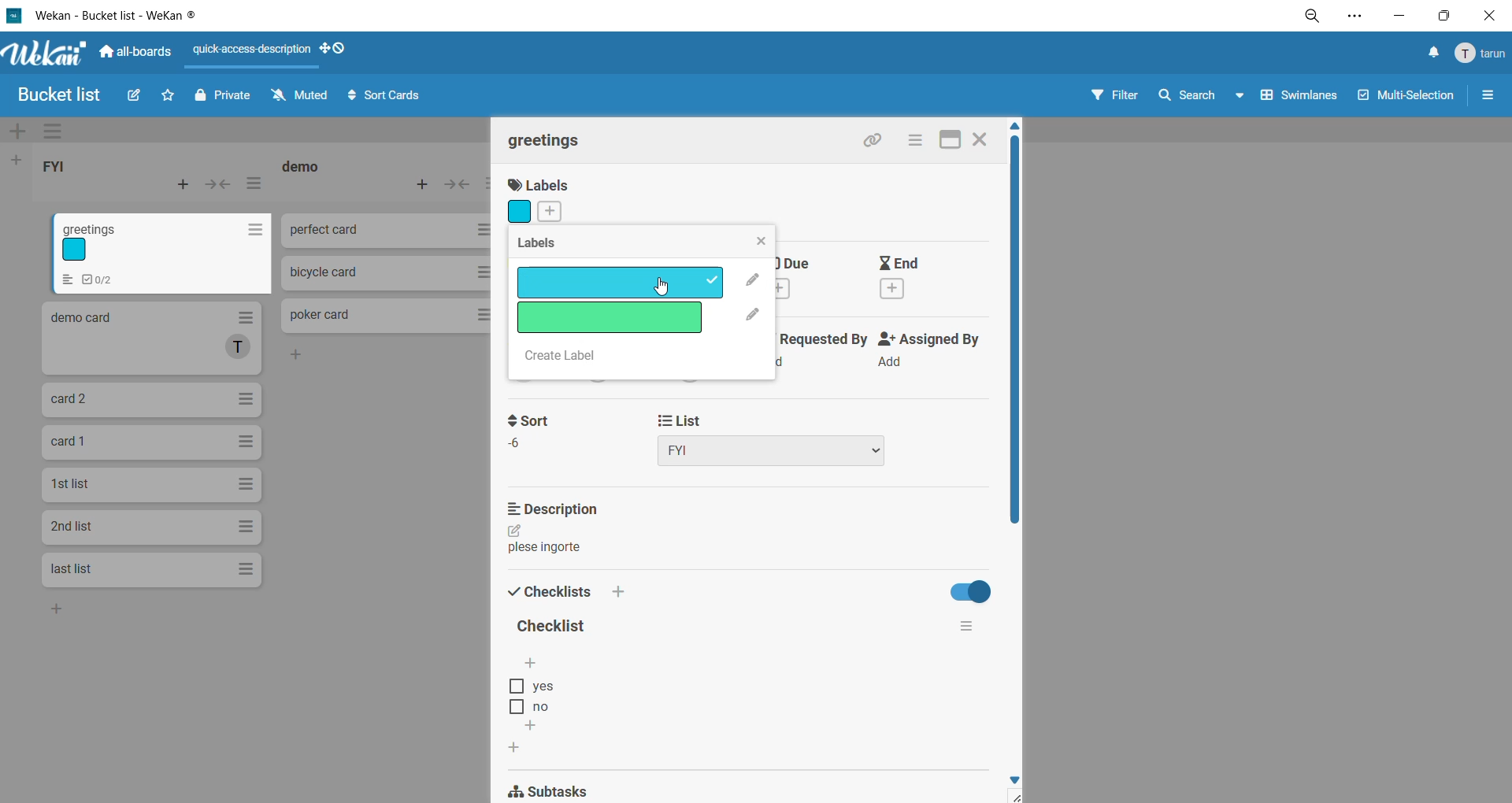 The height and width of the screenshot is (803, 1512). Describe the element at coordinates (547, 245) in the screenshot. I see `labels` at that location.